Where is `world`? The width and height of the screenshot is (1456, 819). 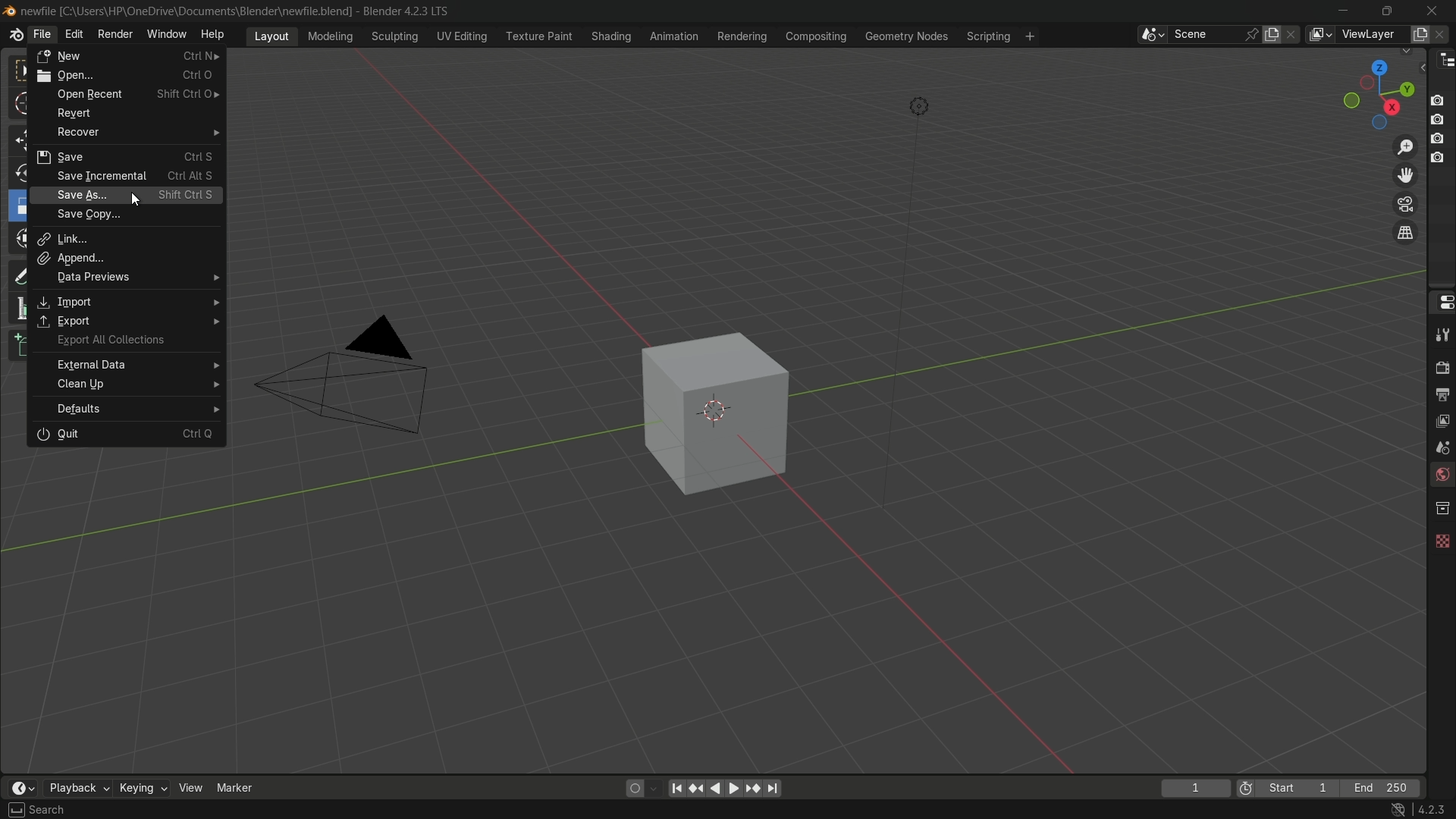
world is located at coordinates (1441, 476).